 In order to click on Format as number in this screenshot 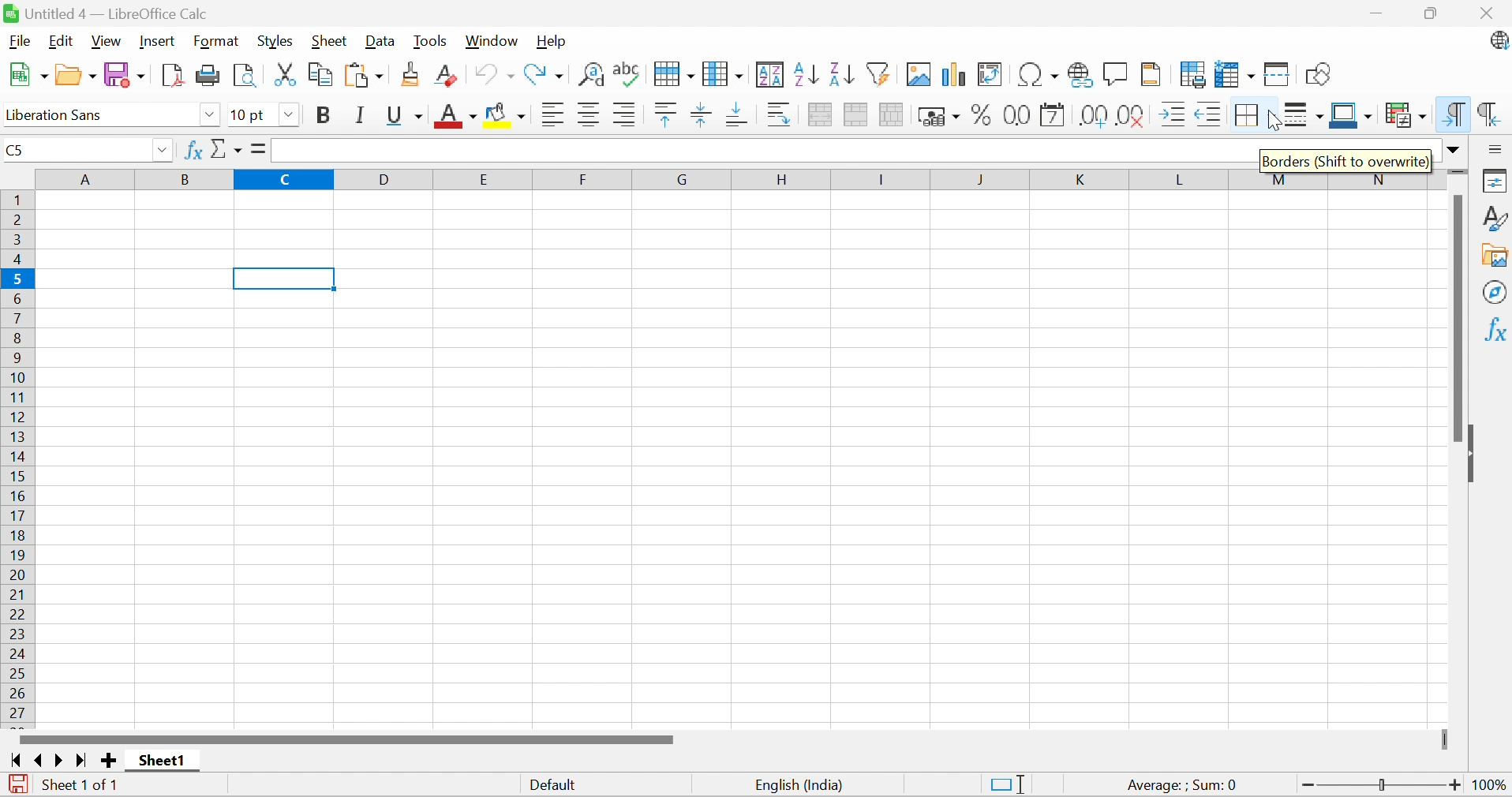, I will do `click(1019, 114)`.